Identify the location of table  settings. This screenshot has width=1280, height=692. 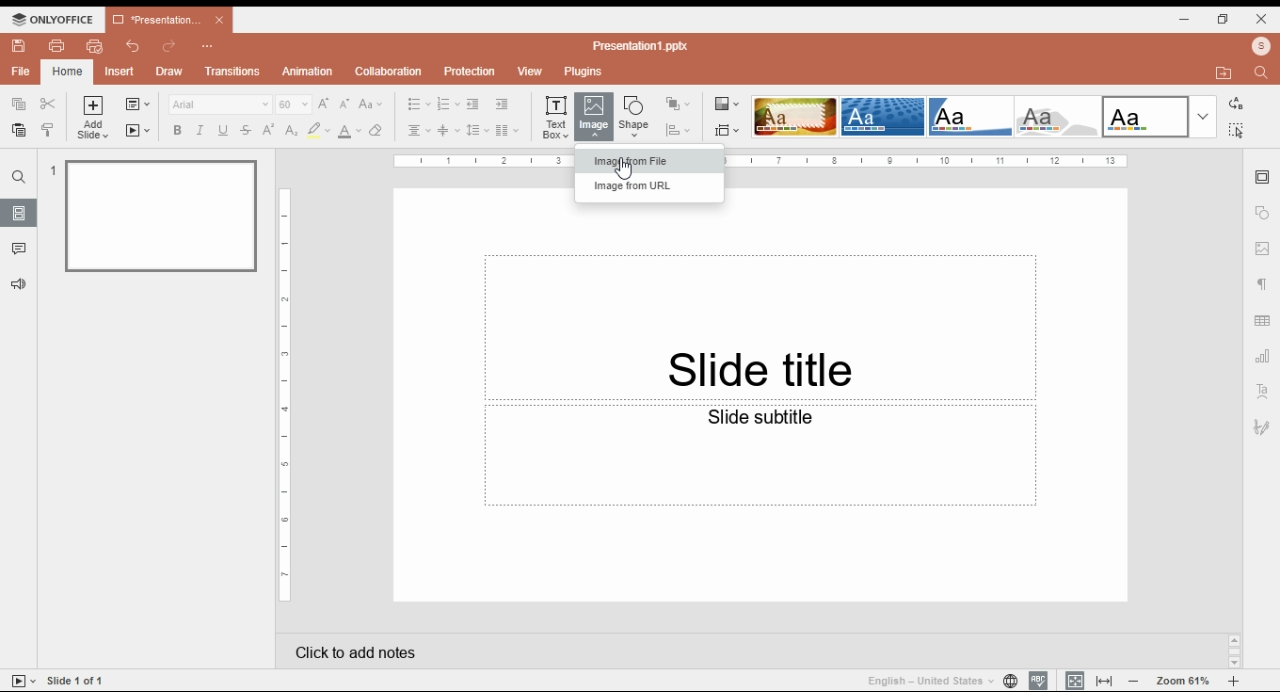
(1263, 321).